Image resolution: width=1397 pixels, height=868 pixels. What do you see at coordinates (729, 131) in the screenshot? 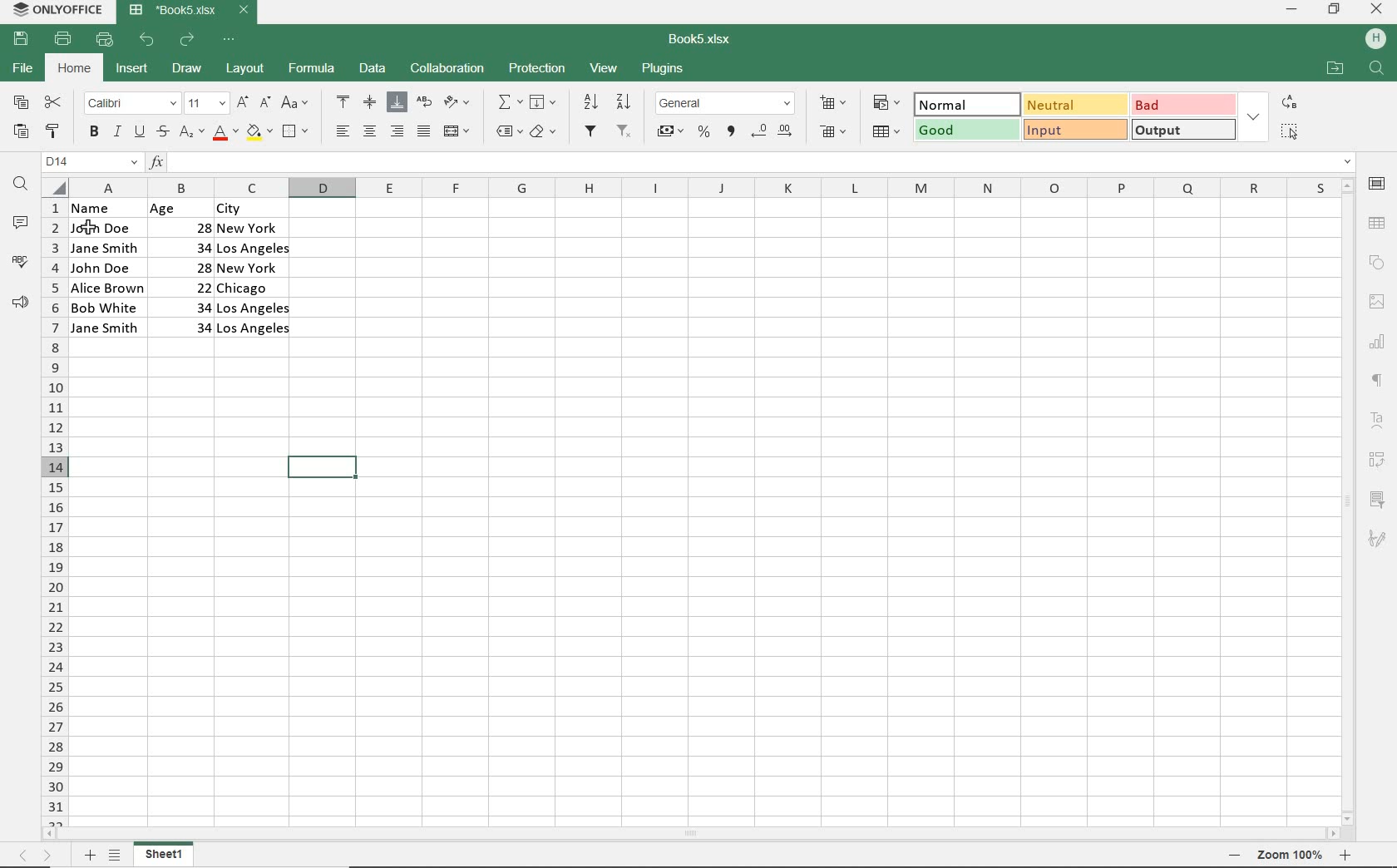
I see `COMMA STYLE` at bounding box center [729, 131].